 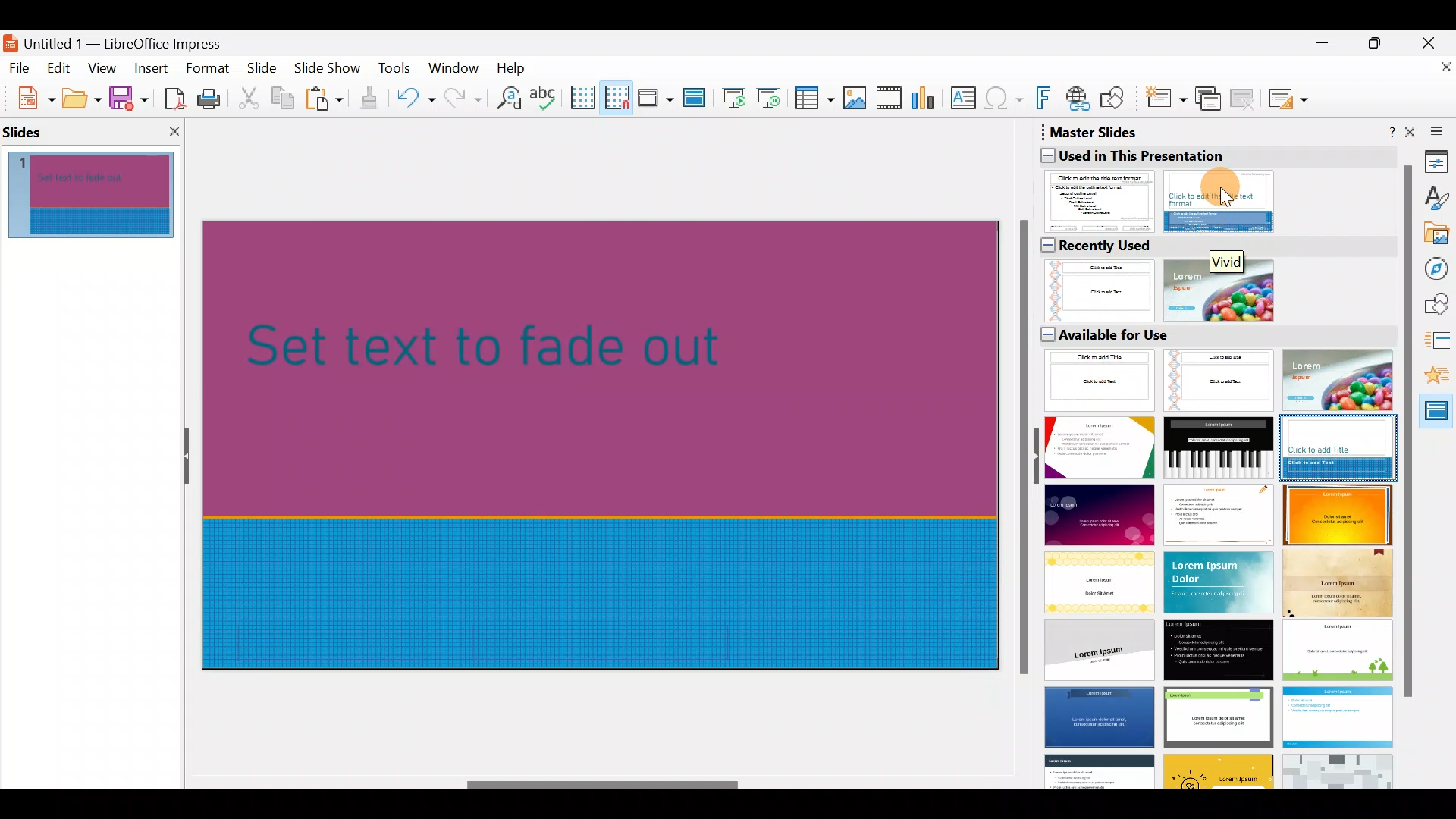 What do you see at coordinates (1439, 343) in the screenshot?
I see `Slide transition` at bounding box center [1439, 343].